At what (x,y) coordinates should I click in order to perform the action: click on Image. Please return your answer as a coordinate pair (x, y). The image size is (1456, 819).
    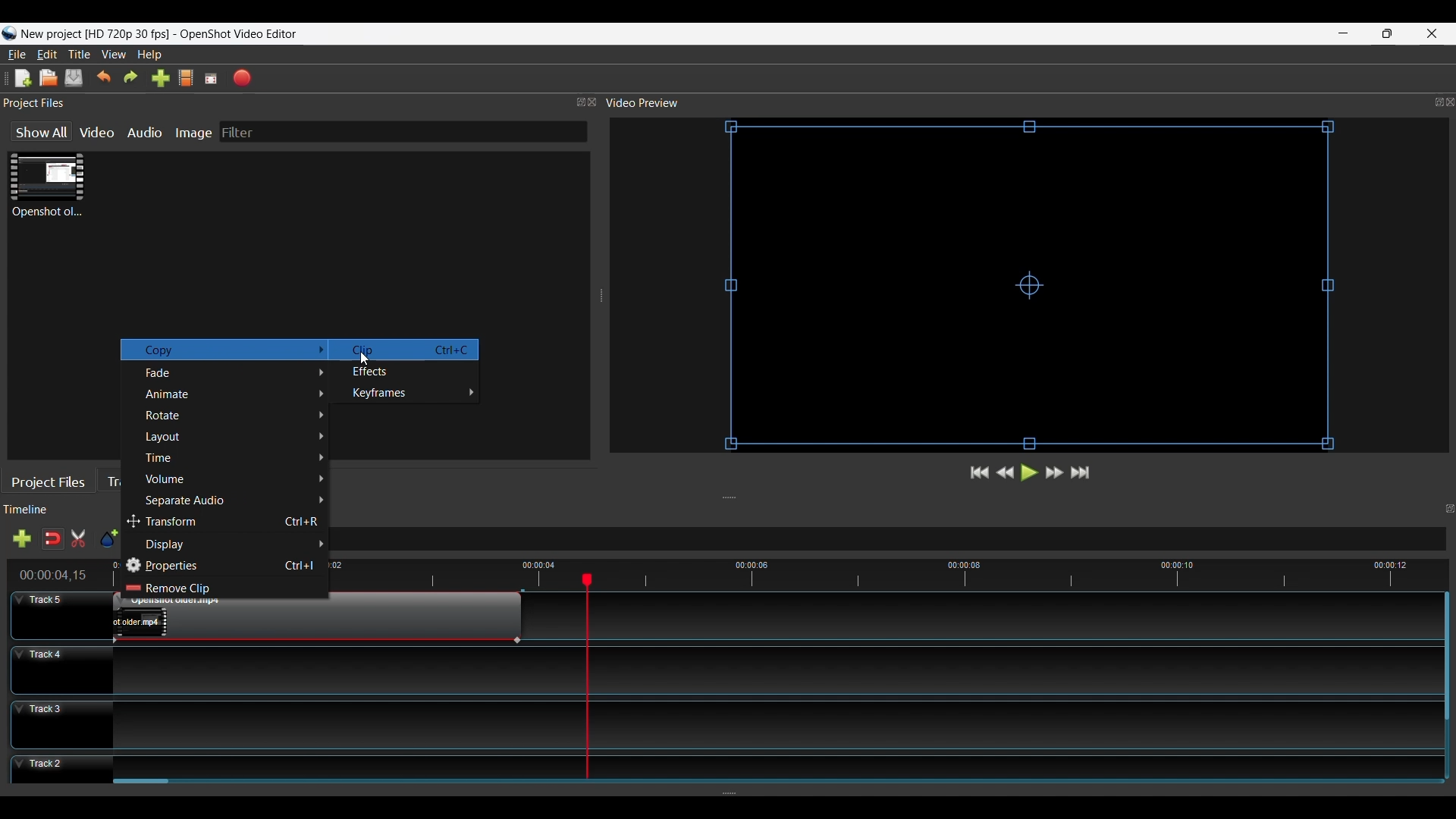
    Looking at the image, I should click on (196, 132).